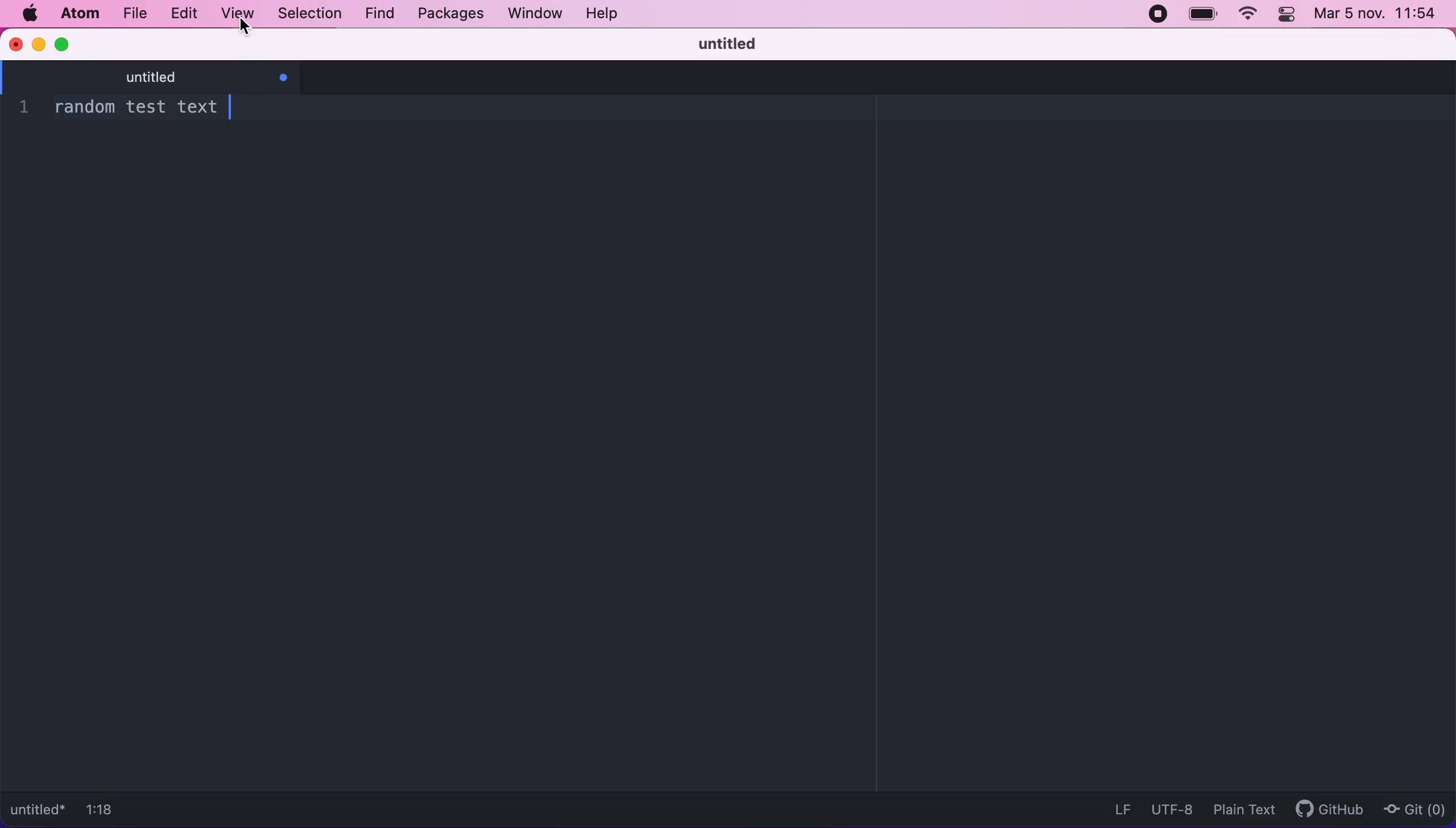  Describe the element at coordinates (116, 109) in the screenshot. I see `1 random test text` at that location.